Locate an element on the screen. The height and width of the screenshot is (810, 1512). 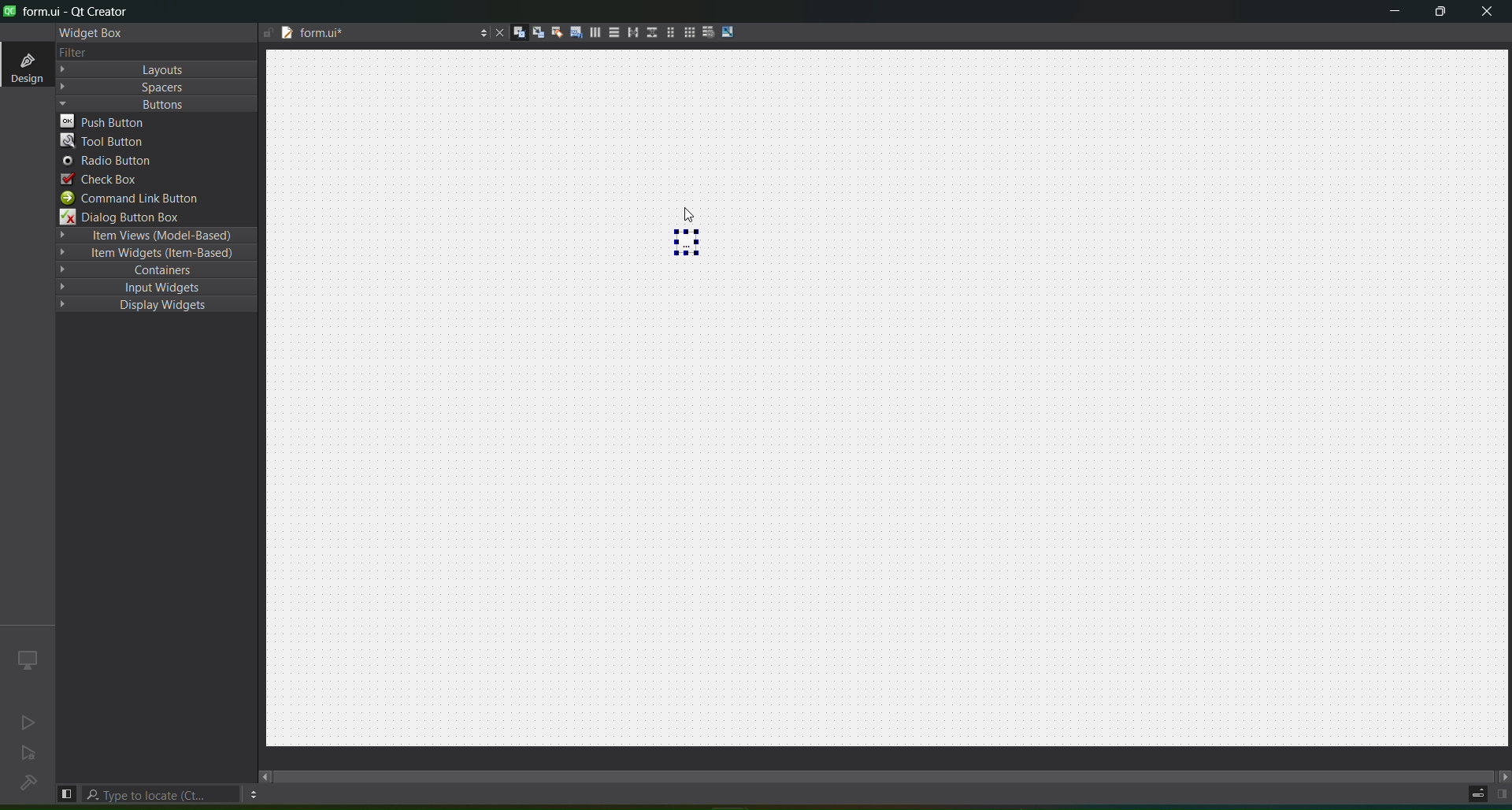
move right is located at coordinates (1503, 773).